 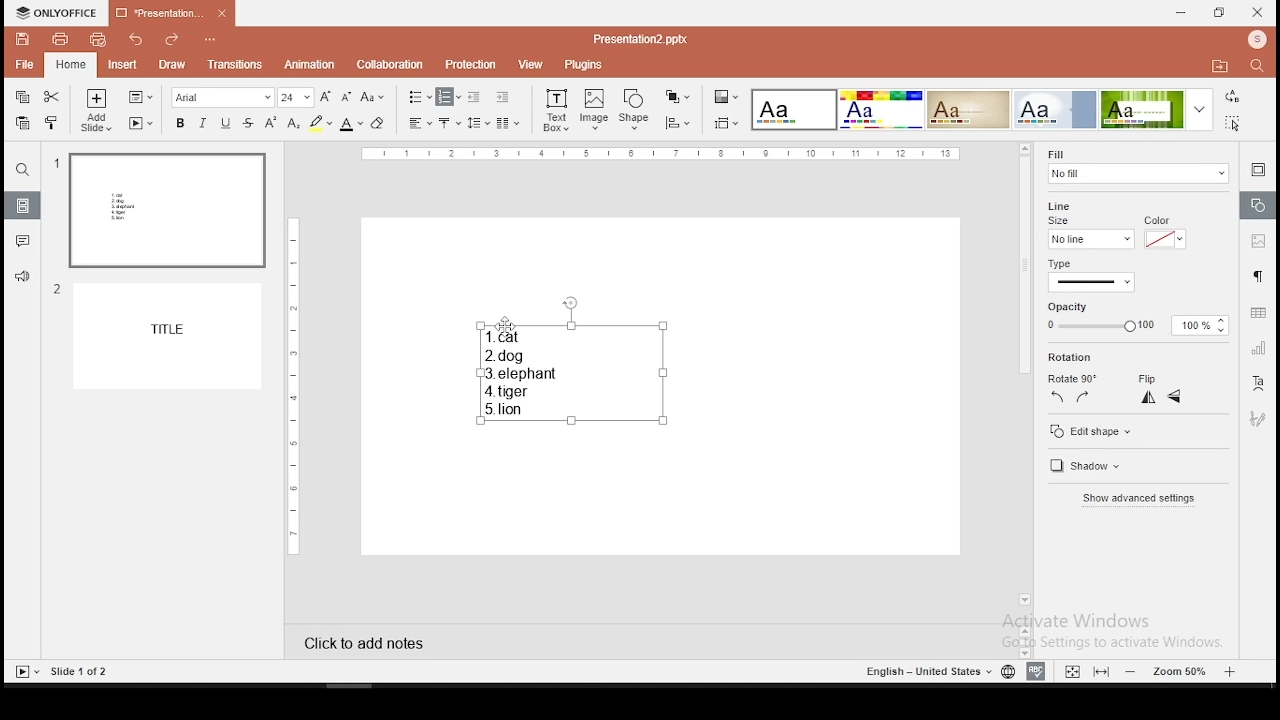 What do you see at coordinates (1089, 239) in the screenshot?
I see `line size` at bounding box center [1089, 239].